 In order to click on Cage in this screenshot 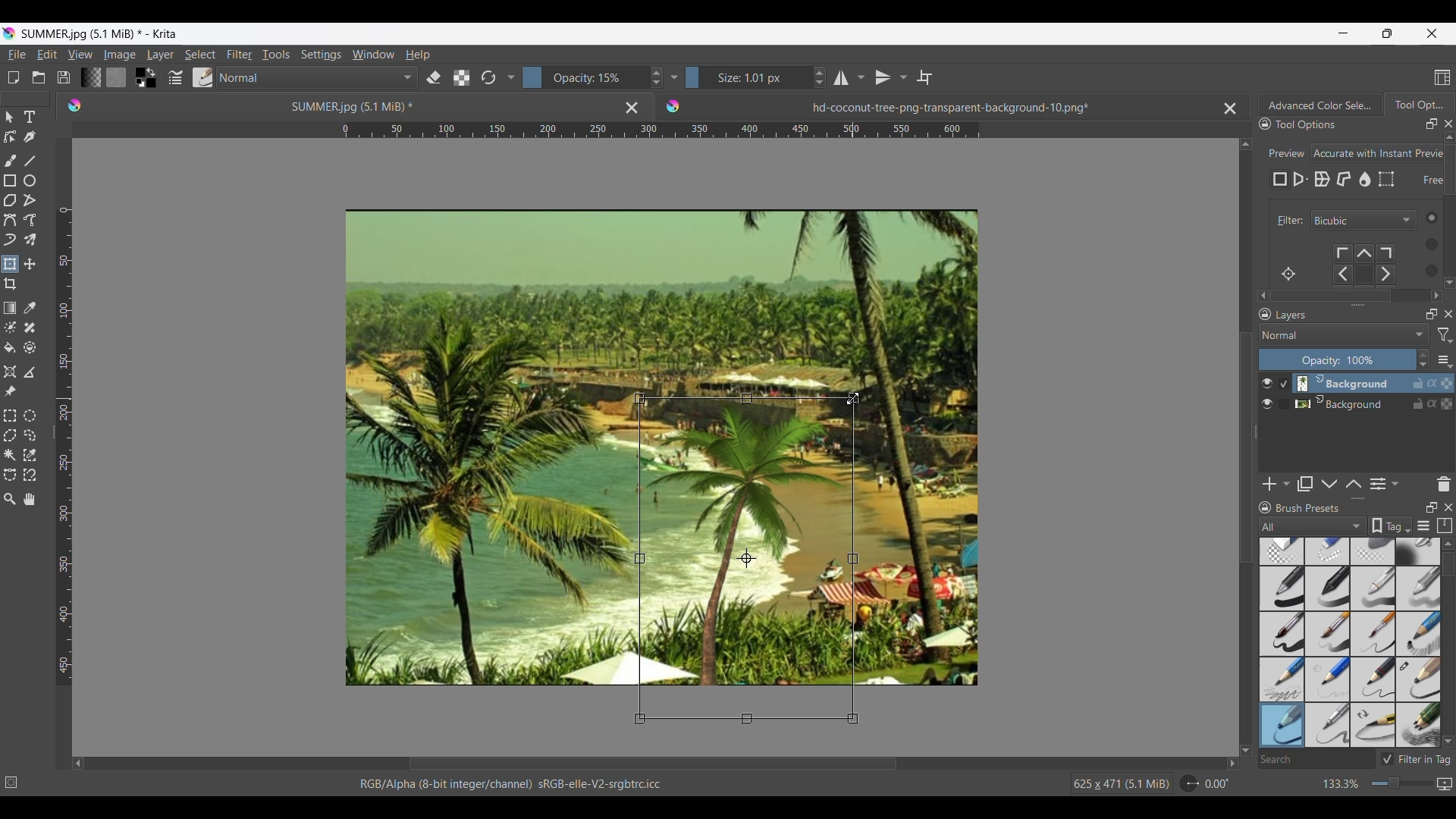, I will do `click(1345, 180)`.